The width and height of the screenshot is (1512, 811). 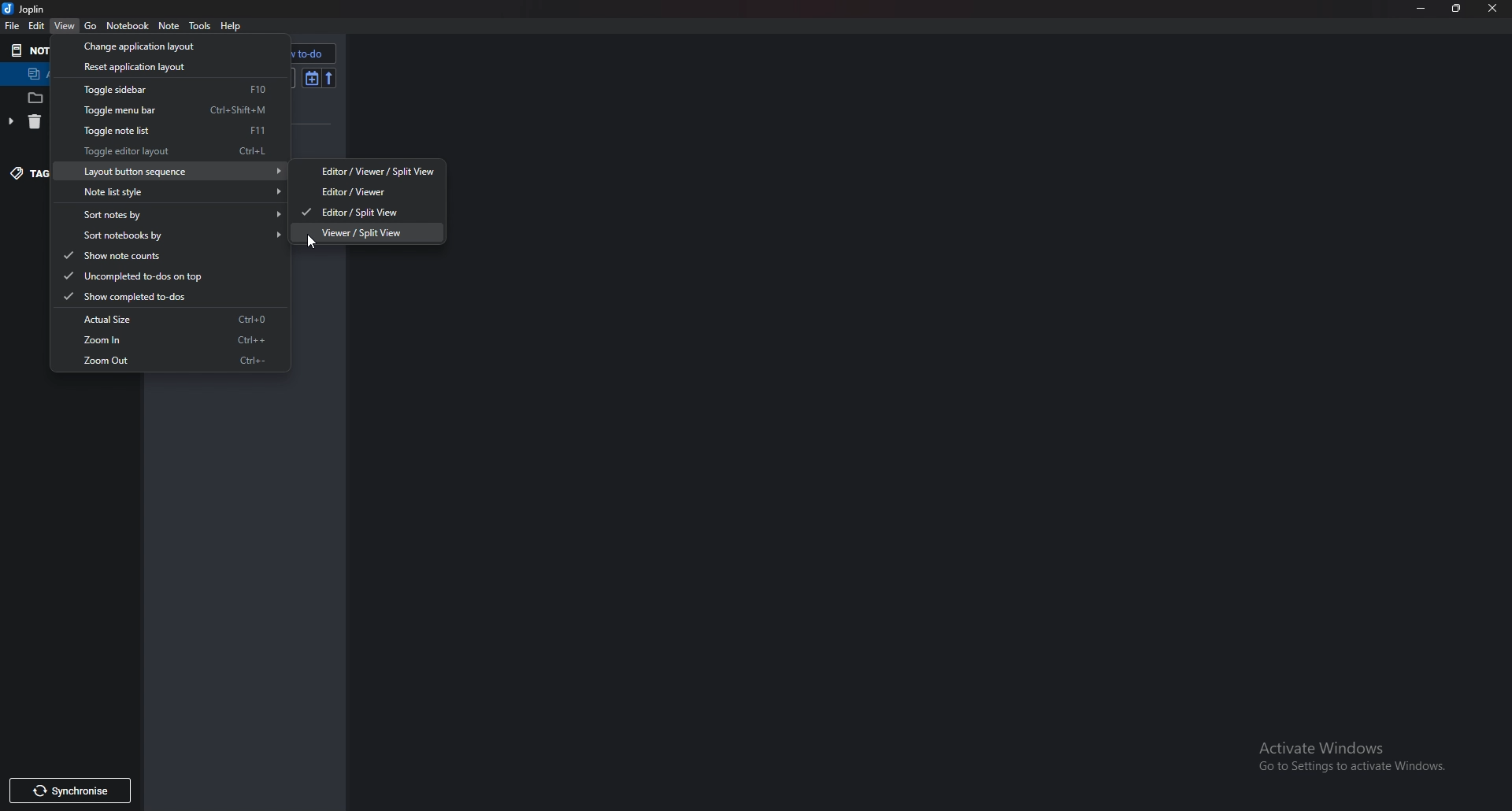 I want to click on Toggle menu bar, so click(x=169, y=109).